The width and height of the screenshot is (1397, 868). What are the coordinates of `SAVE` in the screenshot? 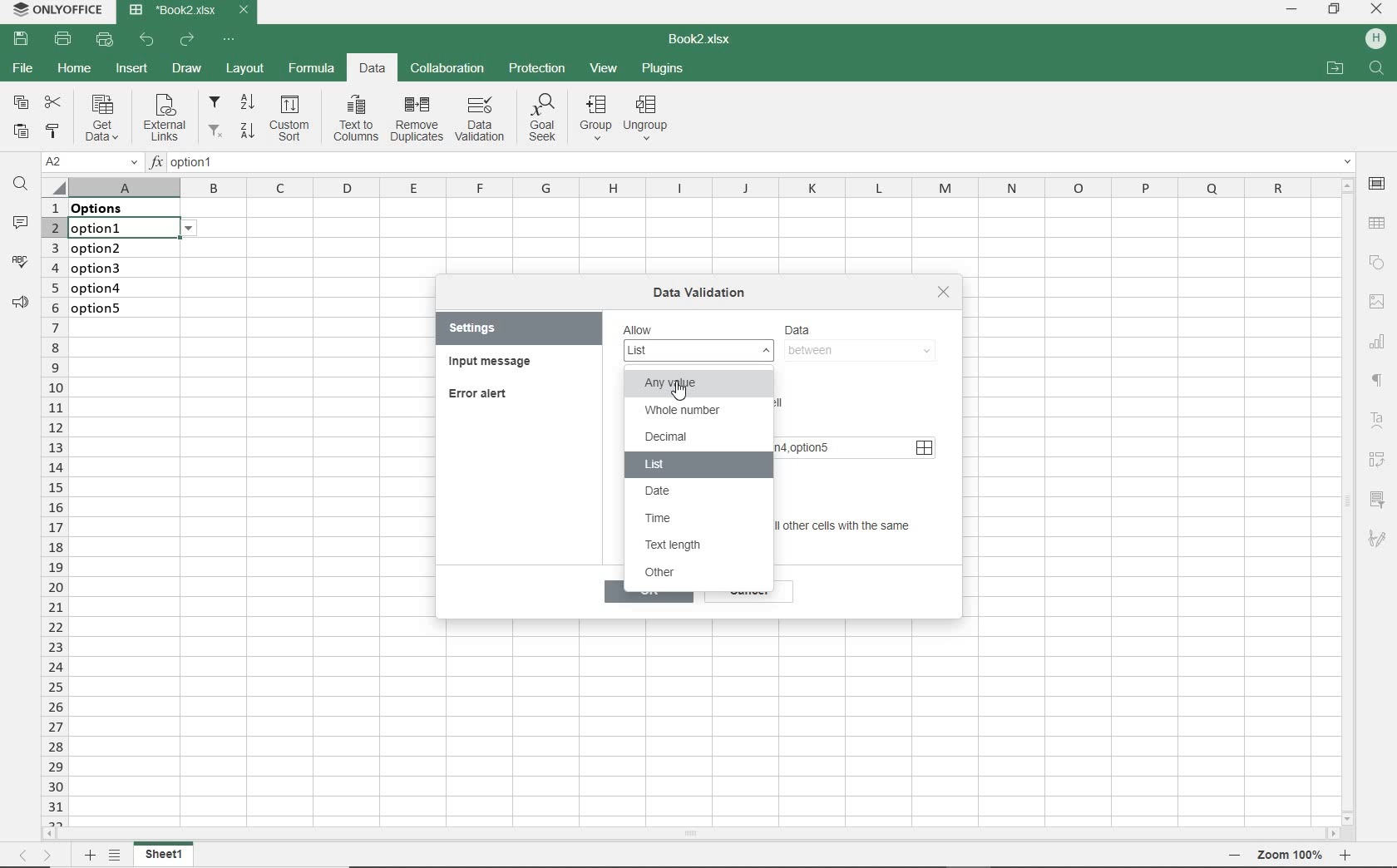 It's located at (21, 40).